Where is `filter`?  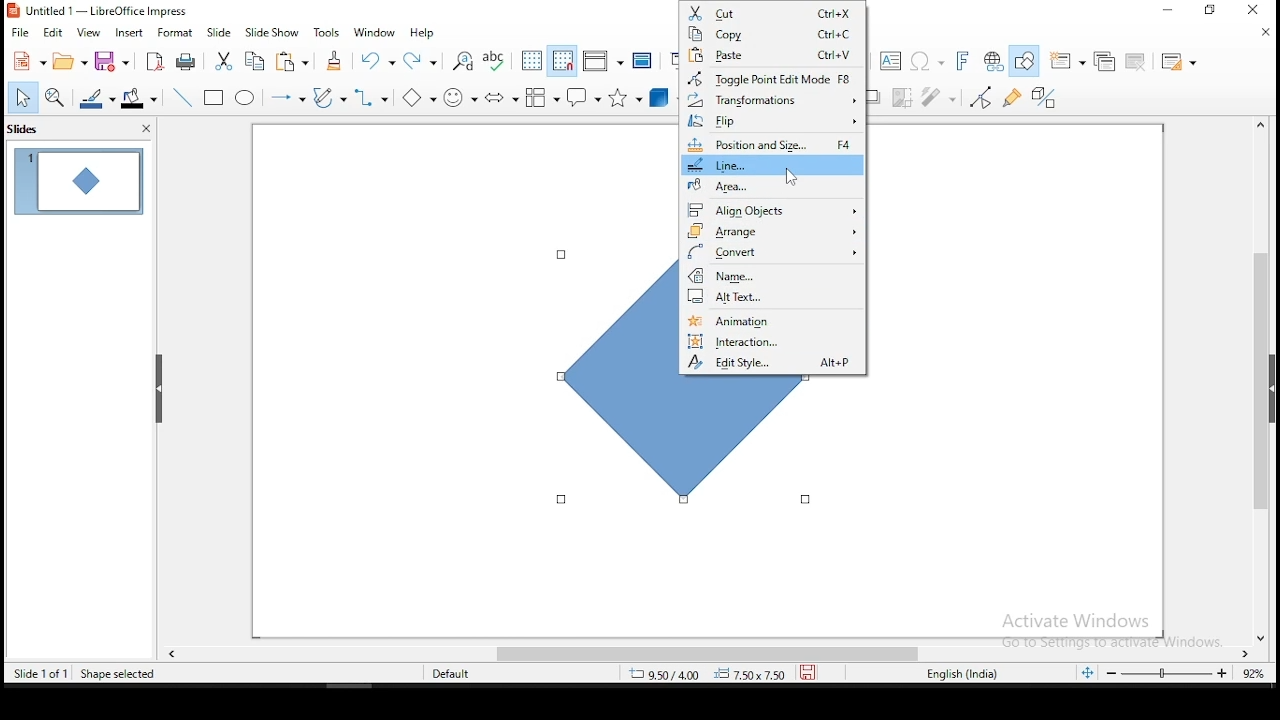 filter is located at coordinates (941, 98).